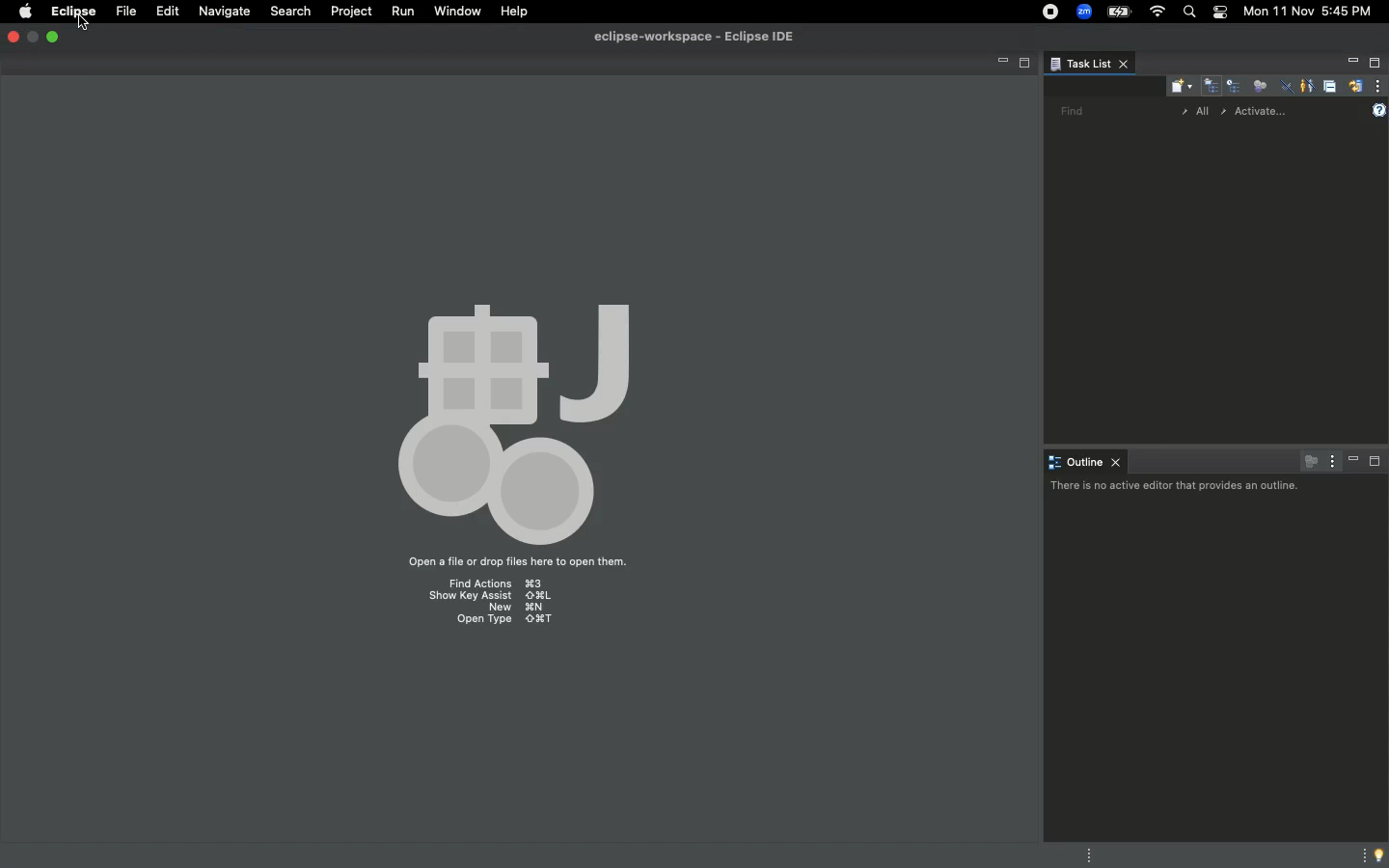  Describe the element at coordinates (533, 561) in the screenshot. I see `Open a file or drop file here` at that location.